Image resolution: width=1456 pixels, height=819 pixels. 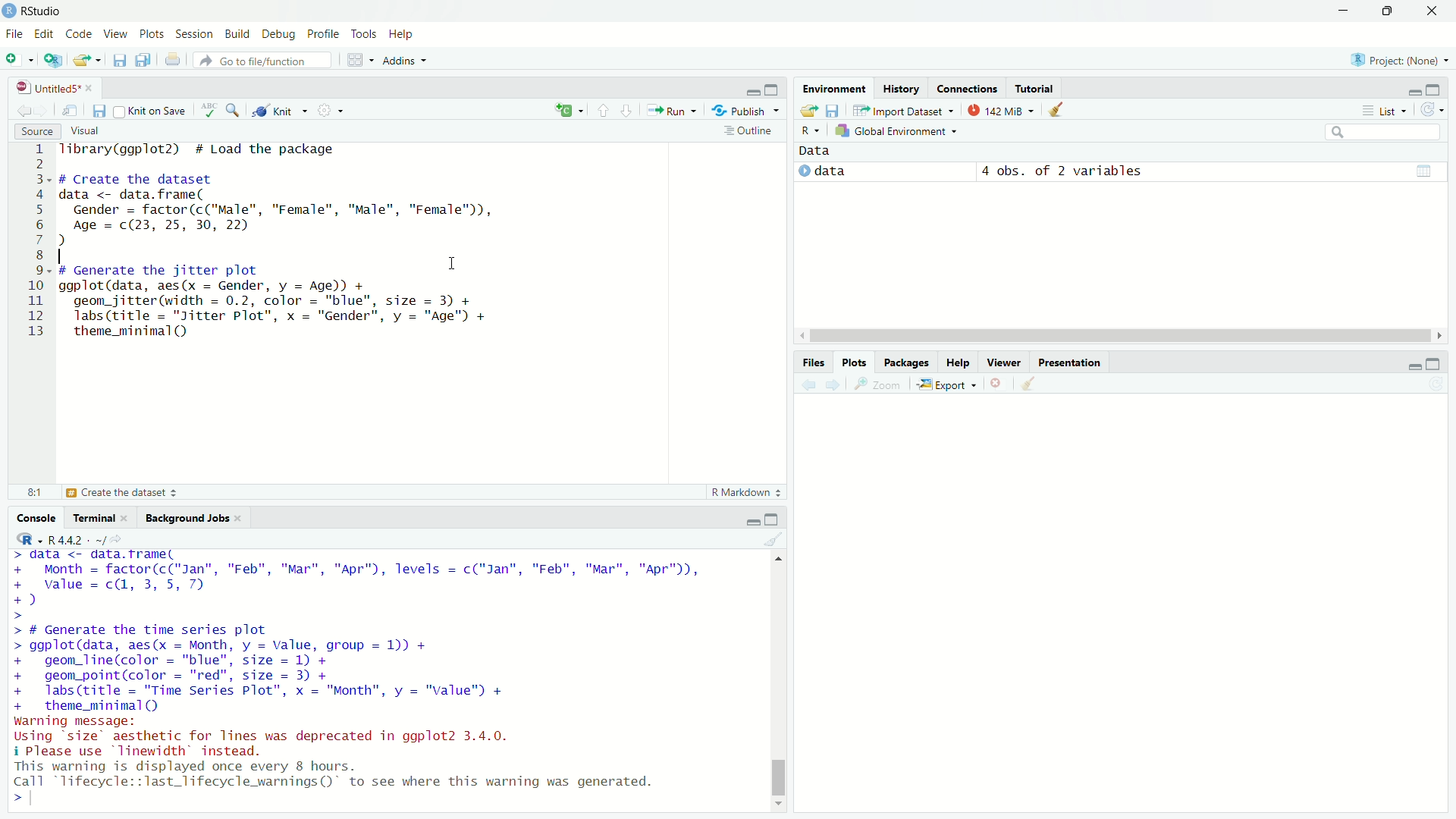 What do you see at coordinates (1426, 170) in the screenshot?
I see `table` at bounding box center [1426, 170].